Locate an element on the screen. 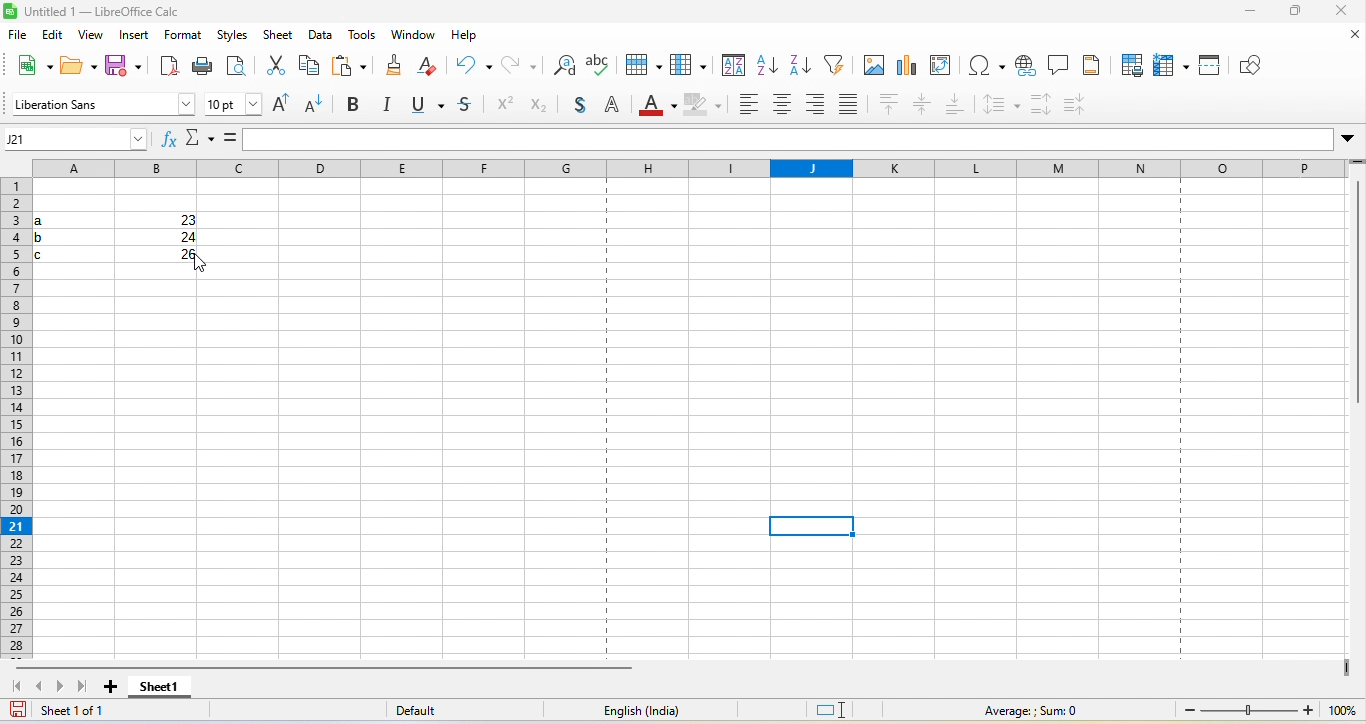 The height and width of the screenshot is (724, 1366). freeze row and column is located at coordinates (1170, 66).